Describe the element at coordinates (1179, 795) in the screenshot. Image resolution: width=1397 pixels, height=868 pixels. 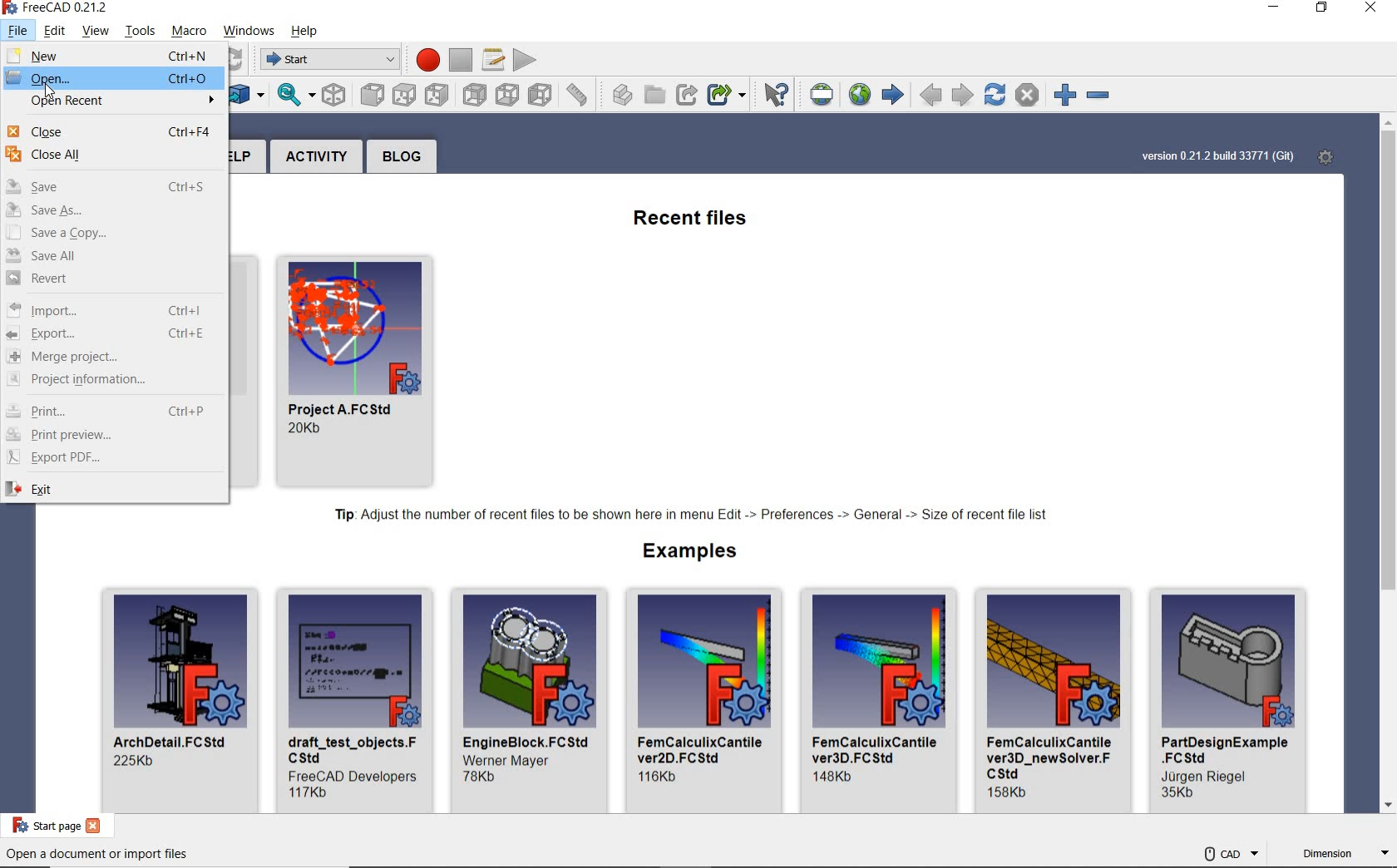
I see `size` at that location.